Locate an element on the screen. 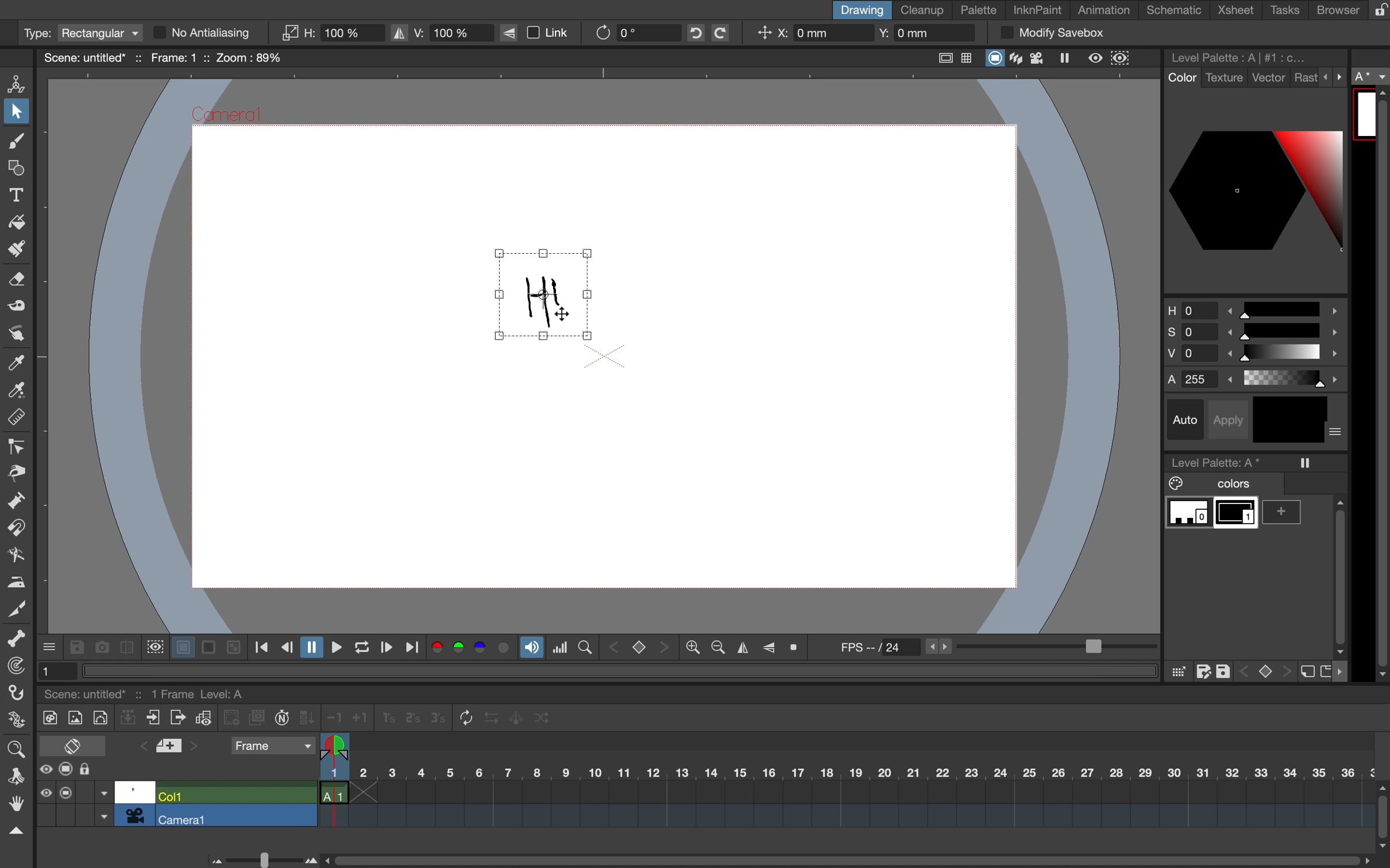 The image size is (1390, 868). timeline scale is located at coordinates (845, 788).